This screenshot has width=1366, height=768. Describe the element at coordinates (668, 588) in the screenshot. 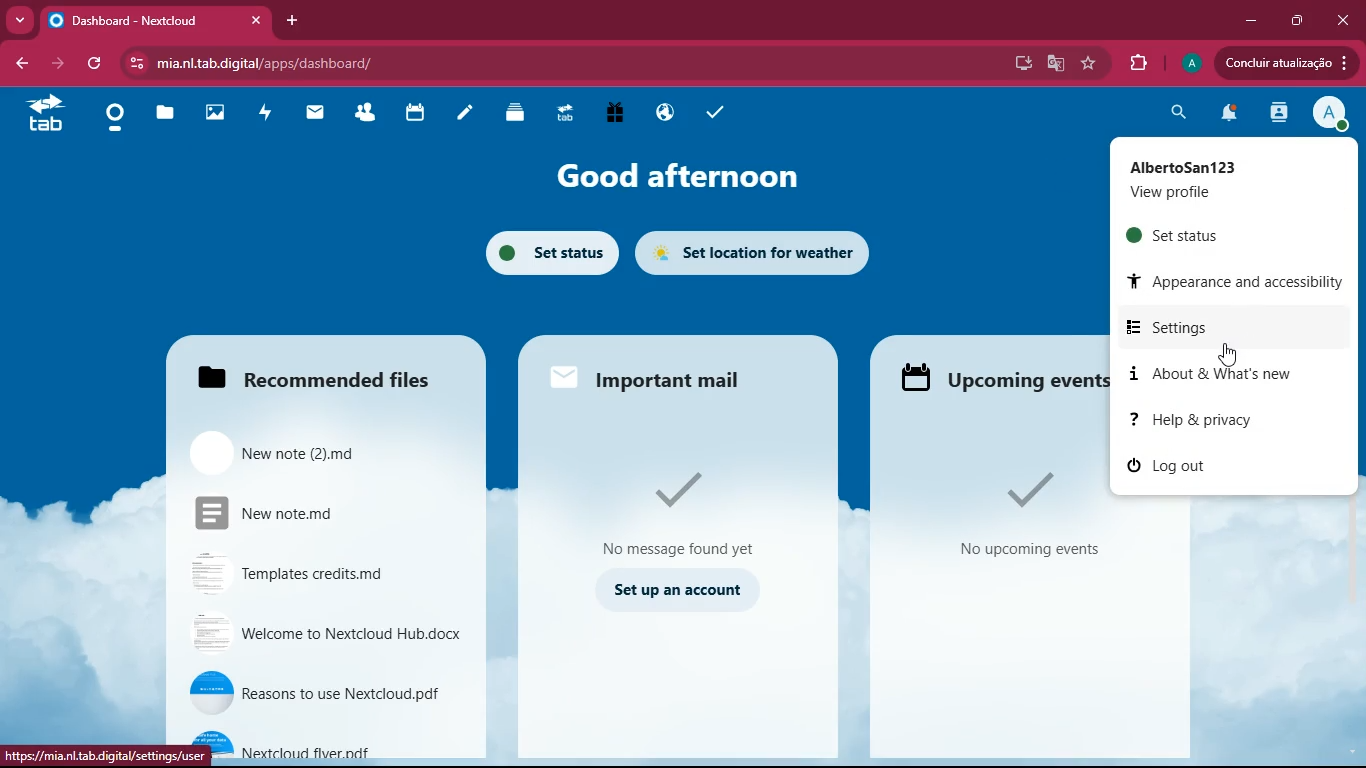

I see `set up an account` at that location.